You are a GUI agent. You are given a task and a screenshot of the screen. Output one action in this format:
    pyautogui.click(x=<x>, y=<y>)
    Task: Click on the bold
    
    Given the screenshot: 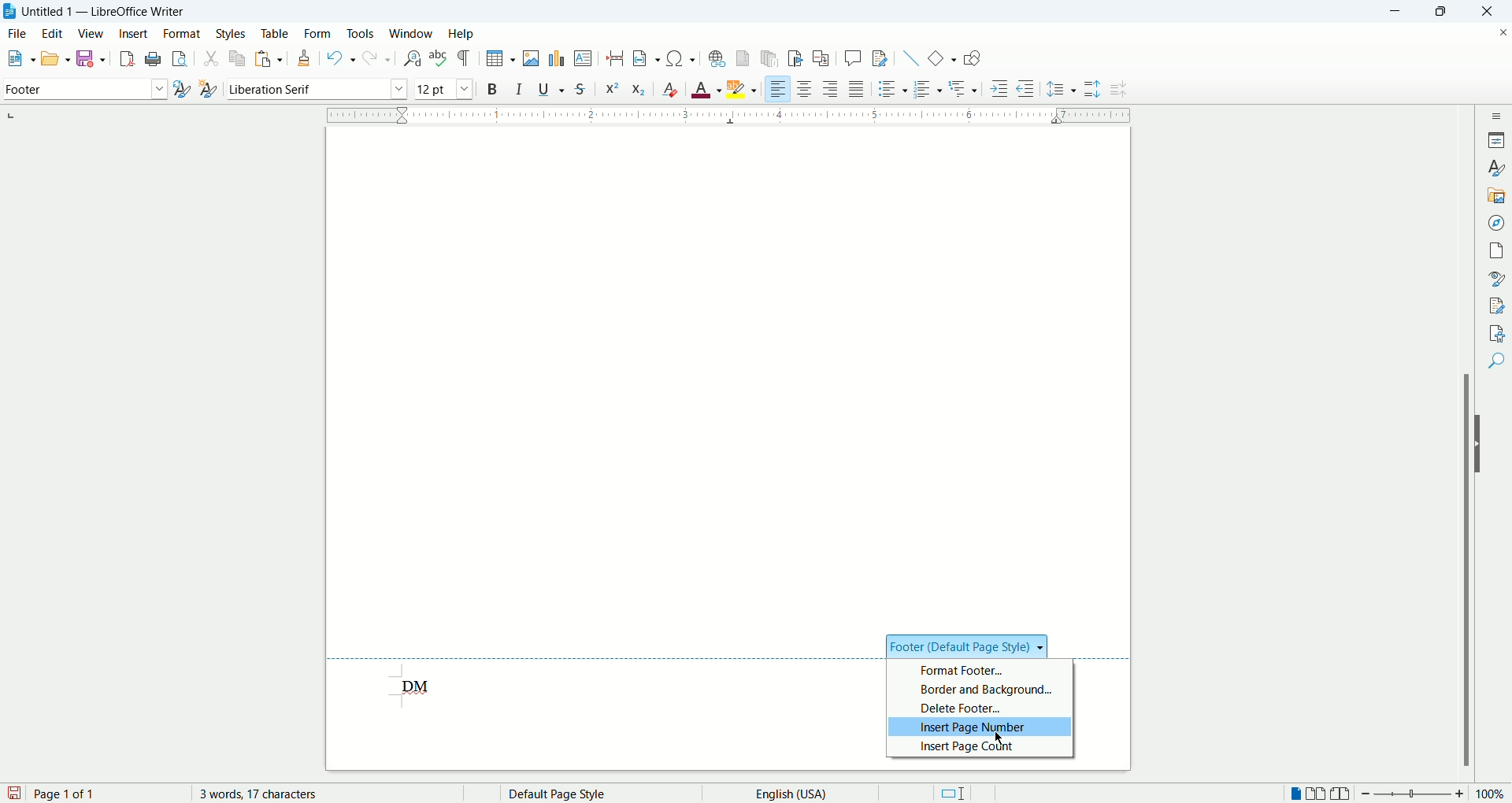 What is the action you would take?
    pyautogui.click(x=492, y=88)
    